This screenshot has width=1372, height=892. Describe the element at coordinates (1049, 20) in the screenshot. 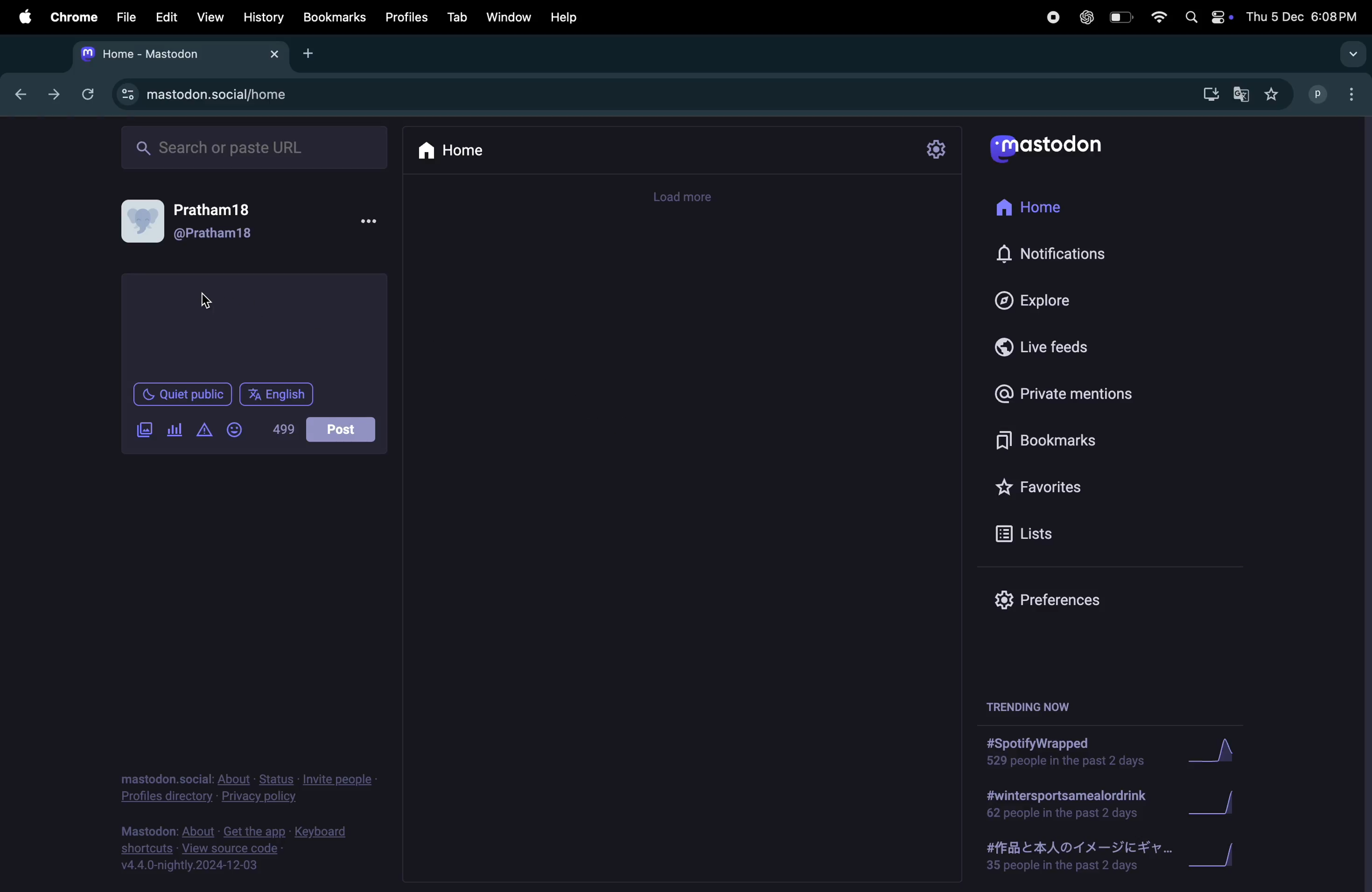

I see `record` at that location.